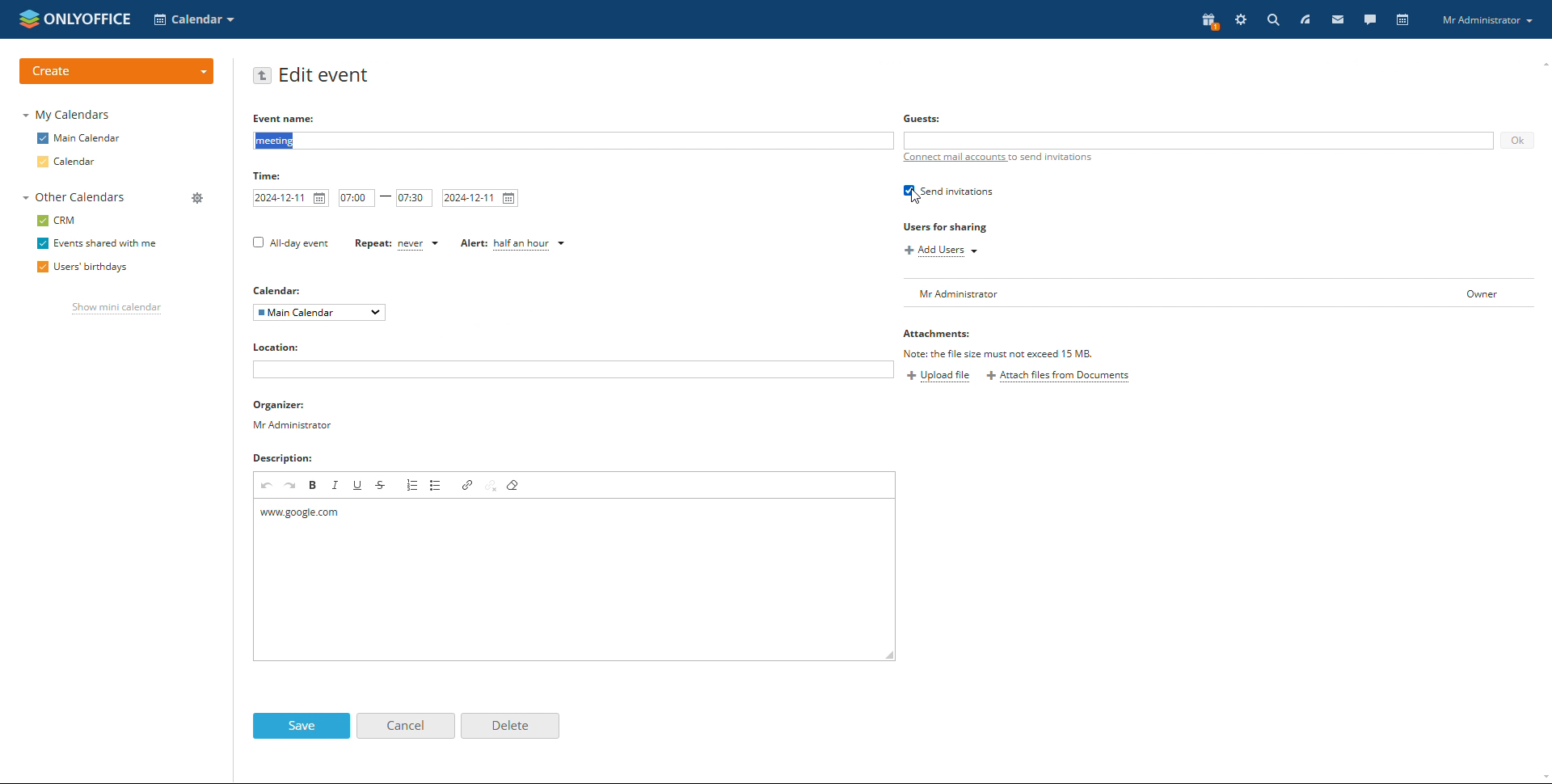 The height and width of the screenshot is (784, 1552). I want to click on my calendars, so click(68, 115).